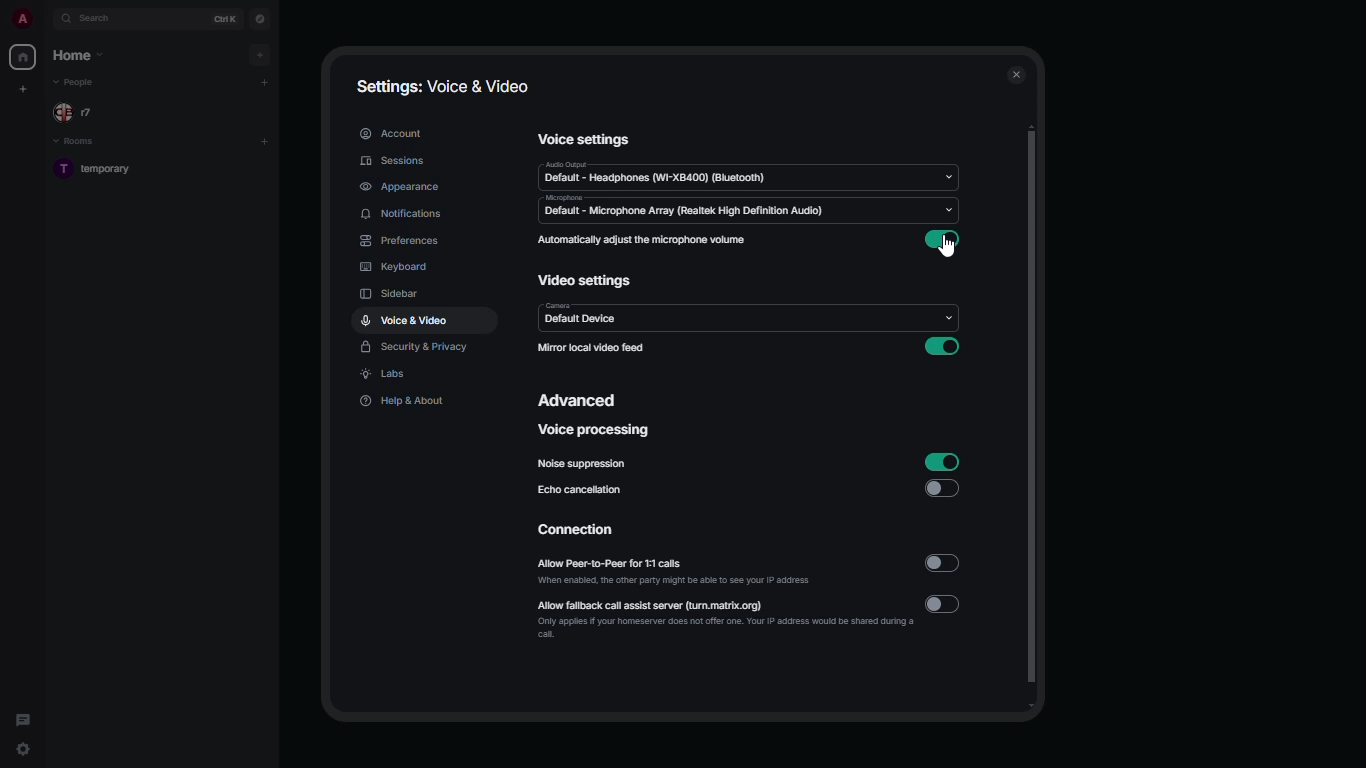 The height and width of the screenshot is (768, 1366). Describe the element at coordinates (222, 18) in the screenshot. I see `ctrl K` at that location.